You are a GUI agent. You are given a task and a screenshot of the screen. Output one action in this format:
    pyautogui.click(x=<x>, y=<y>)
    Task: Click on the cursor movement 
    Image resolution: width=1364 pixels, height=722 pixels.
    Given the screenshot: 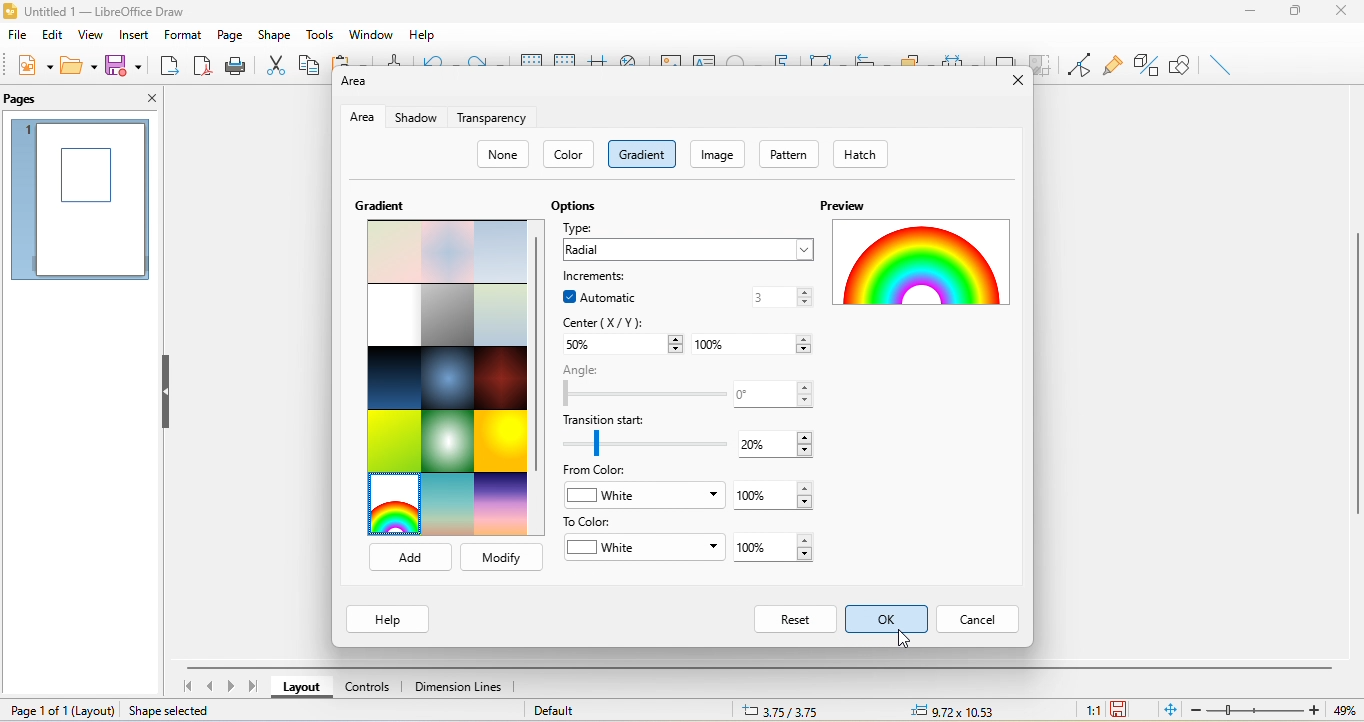 What is the action you would take?
    pyautogui.click(x=906, y=636)
    